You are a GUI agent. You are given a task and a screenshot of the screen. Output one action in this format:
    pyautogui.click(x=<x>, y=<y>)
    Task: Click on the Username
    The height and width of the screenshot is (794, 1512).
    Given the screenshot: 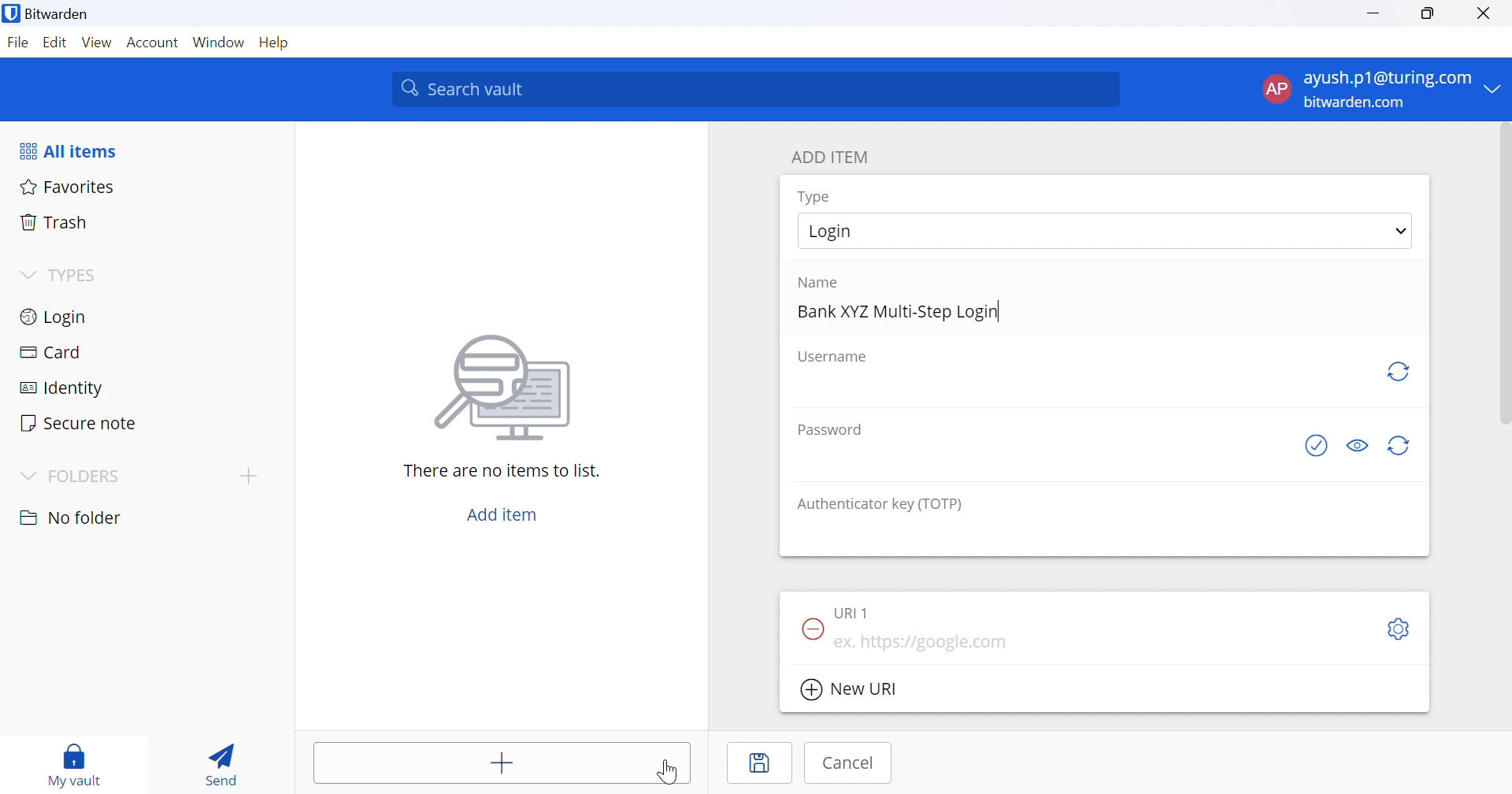 What is the action you would take?
    pyautogui.click(x=834, y=357)
    